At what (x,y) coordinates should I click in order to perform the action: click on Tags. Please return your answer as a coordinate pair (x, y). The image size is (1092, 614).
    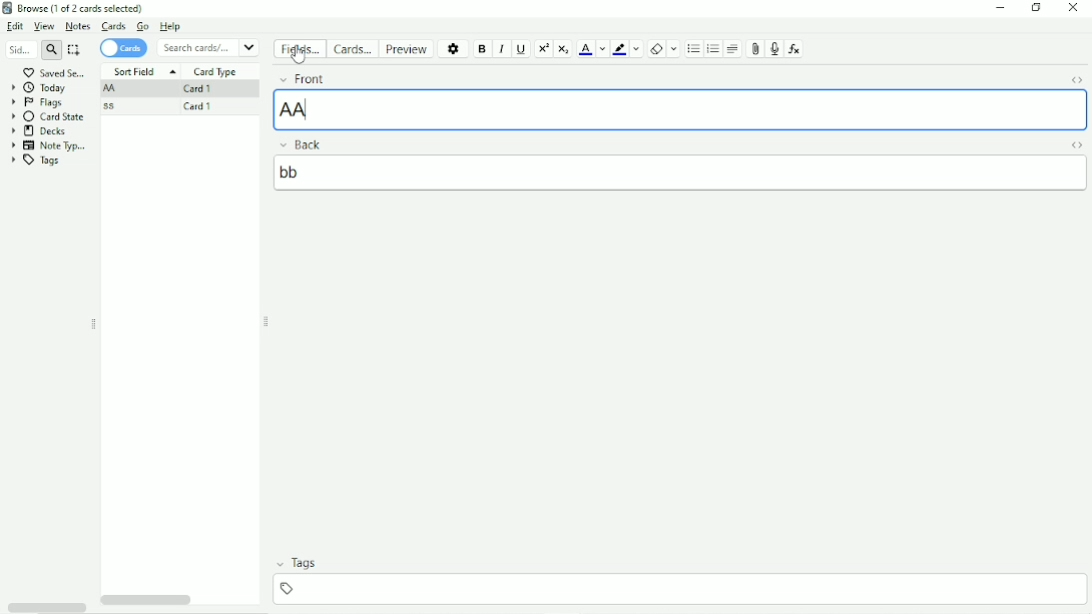
    Looking at the image, I should click on (305, 563).